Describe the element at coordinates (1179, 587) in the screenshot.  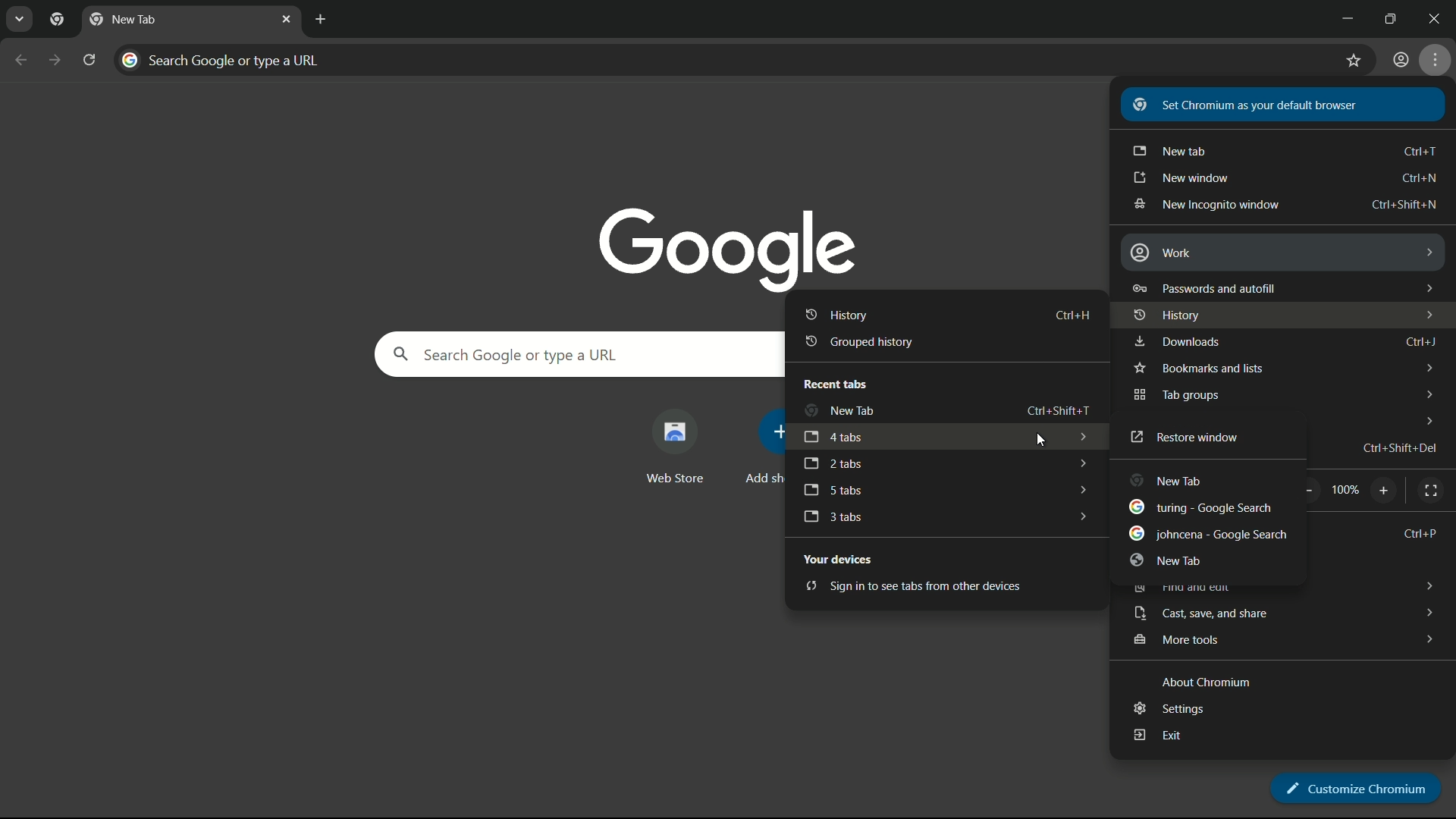
I see `find and edit` at that location.